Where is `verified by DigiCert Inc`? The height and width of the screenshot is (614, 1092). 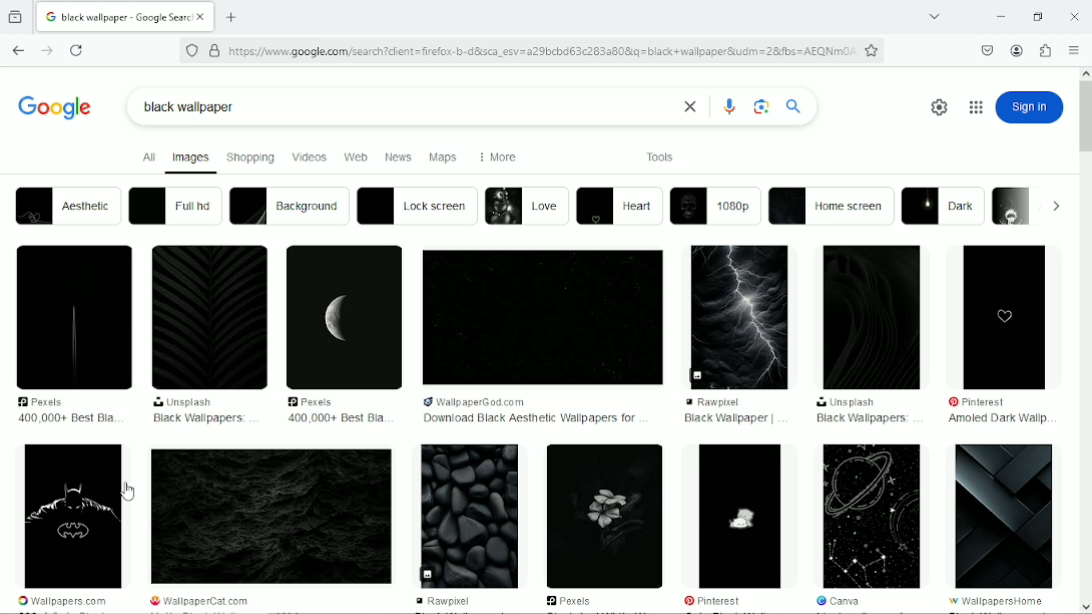 verified by DigiCert Inc is located at coordinates (214, 50).